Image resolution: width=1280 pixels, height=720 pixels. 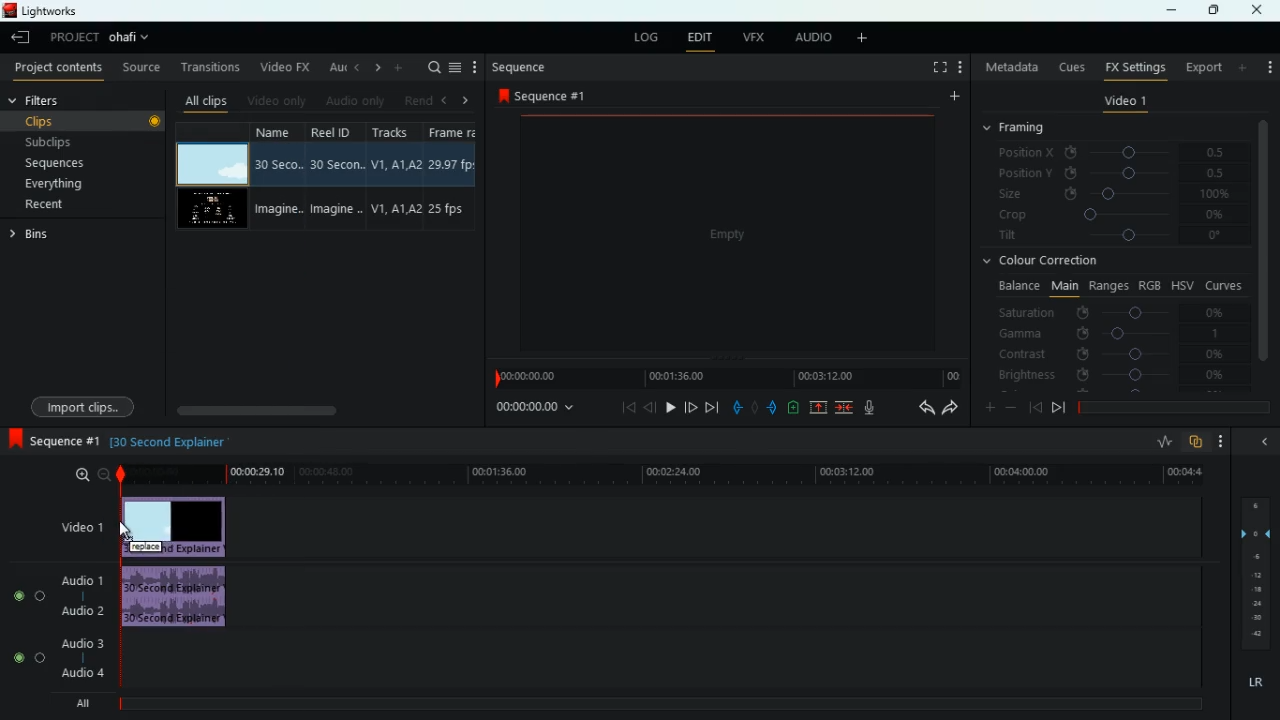 What do you see at coordinates (84, 580) in the screenshot?
I see `audio 1` at bounding box center [84, 580].